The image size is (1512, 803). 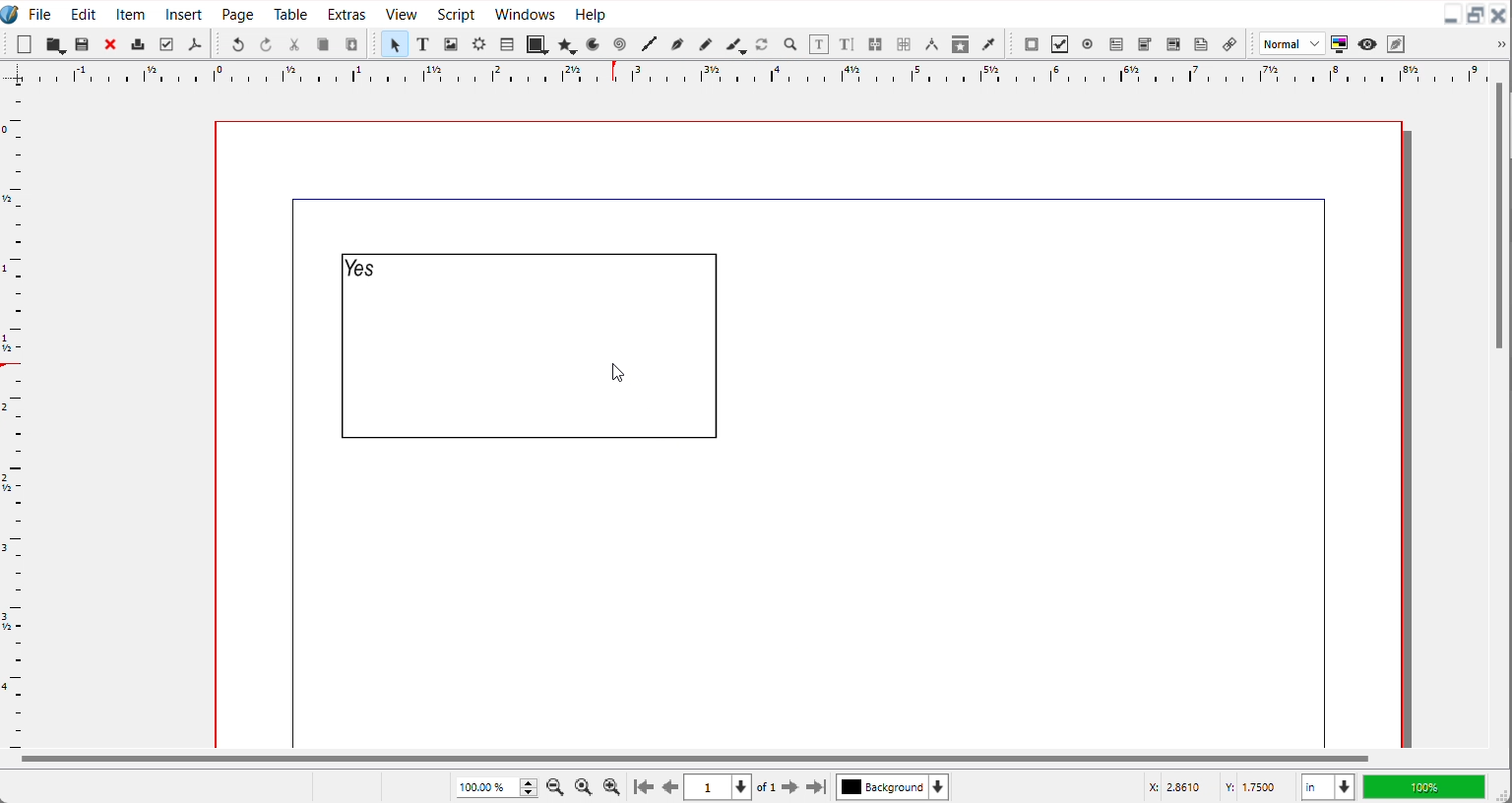 I want to click on X,Y Co-ordinate, so click(x=1216, y=786).